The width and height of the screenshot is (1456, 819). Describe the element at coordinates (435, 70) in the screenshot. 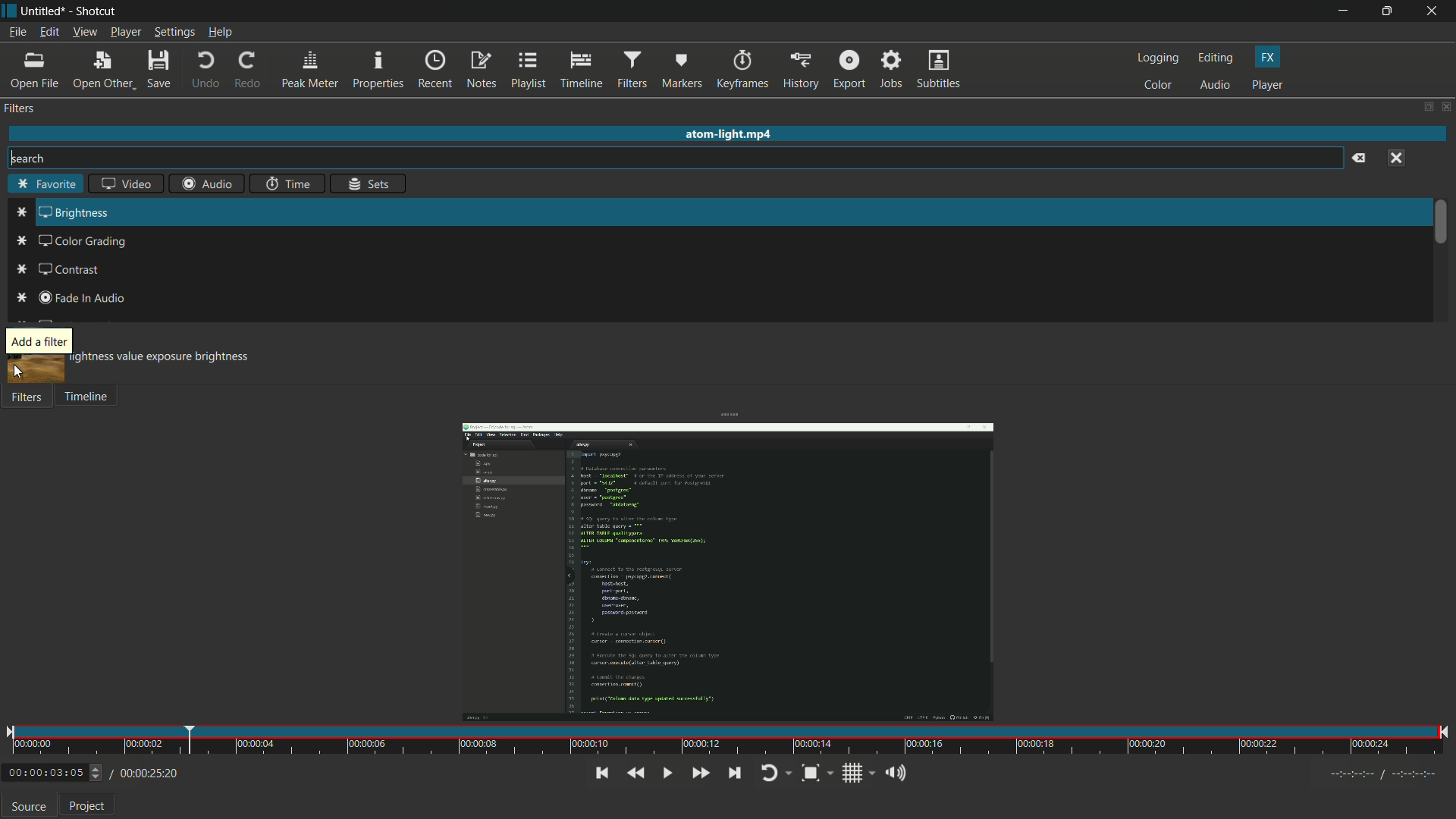

I see `recent` at that location.